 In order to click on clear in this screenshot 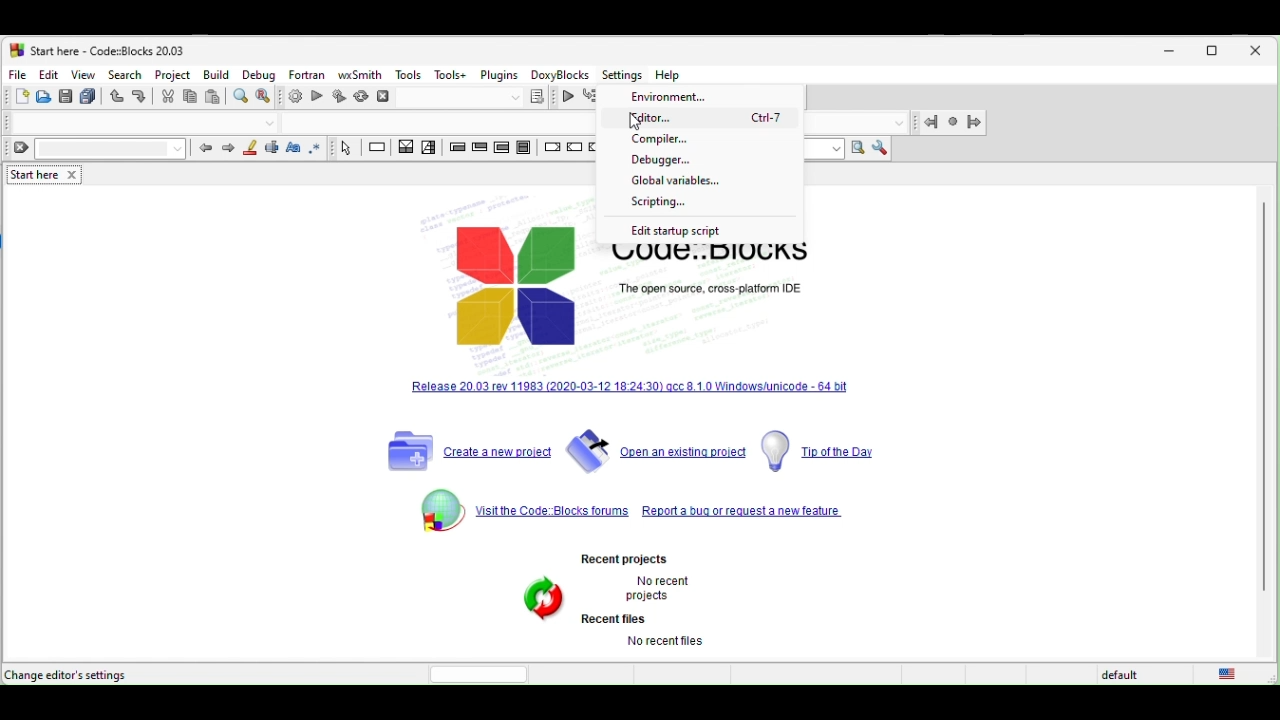, I will do `click(96, 149)`.